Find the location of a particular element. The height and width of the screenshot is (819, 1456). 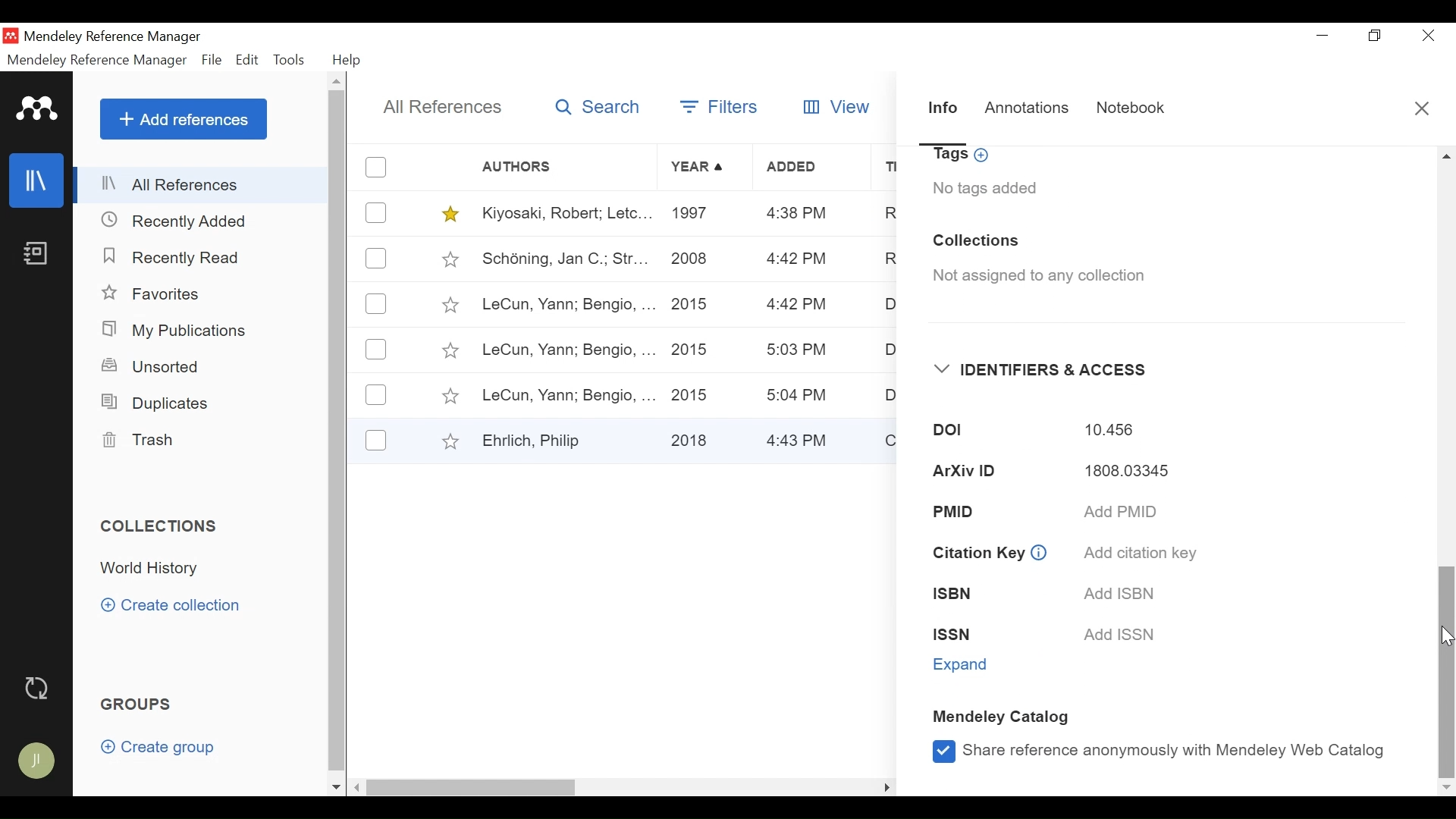

Duplicates is located at coordinates (152, 403).